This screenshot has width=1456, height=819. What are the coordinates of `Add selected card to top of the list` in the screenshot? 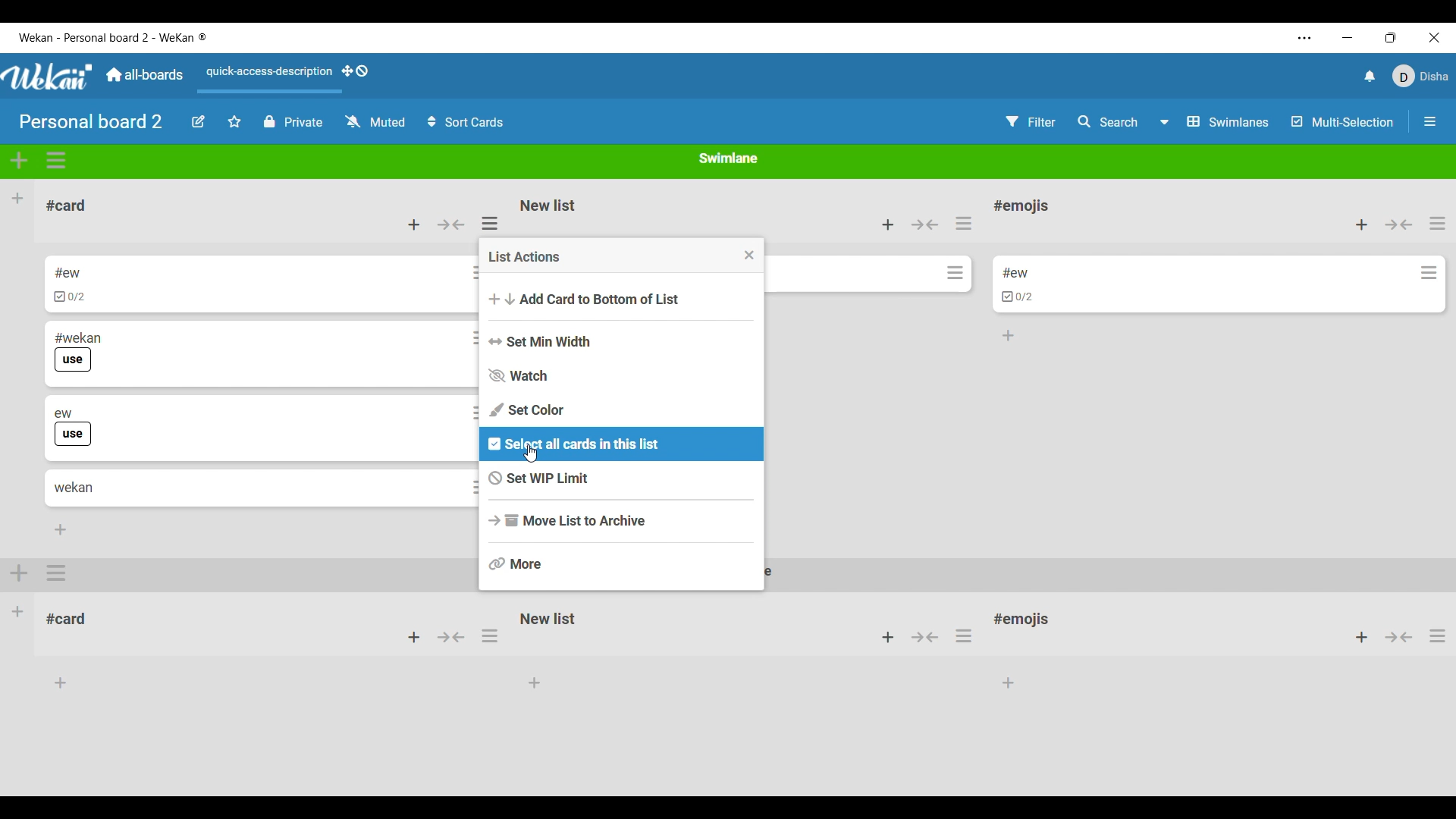 It's located at (1362, 224).